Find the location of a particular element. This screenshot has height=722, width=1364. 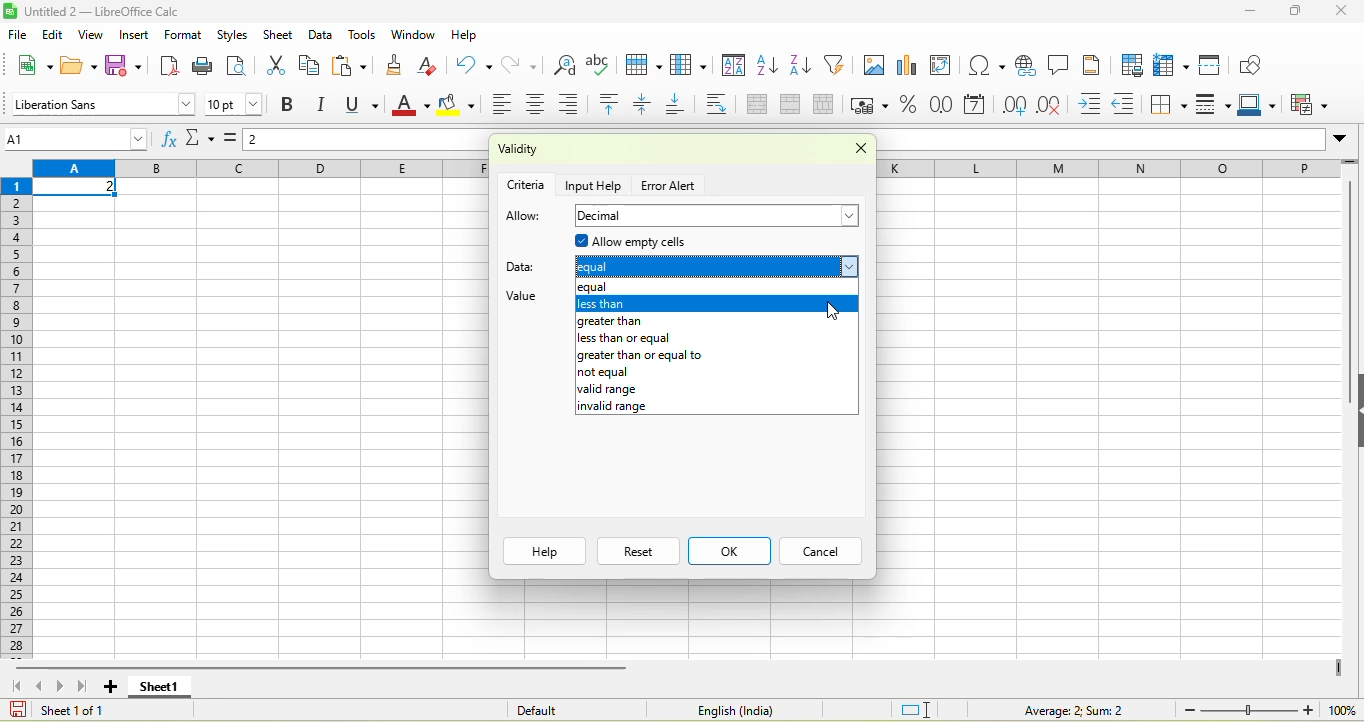

copy is located at coordinates (310, 65).